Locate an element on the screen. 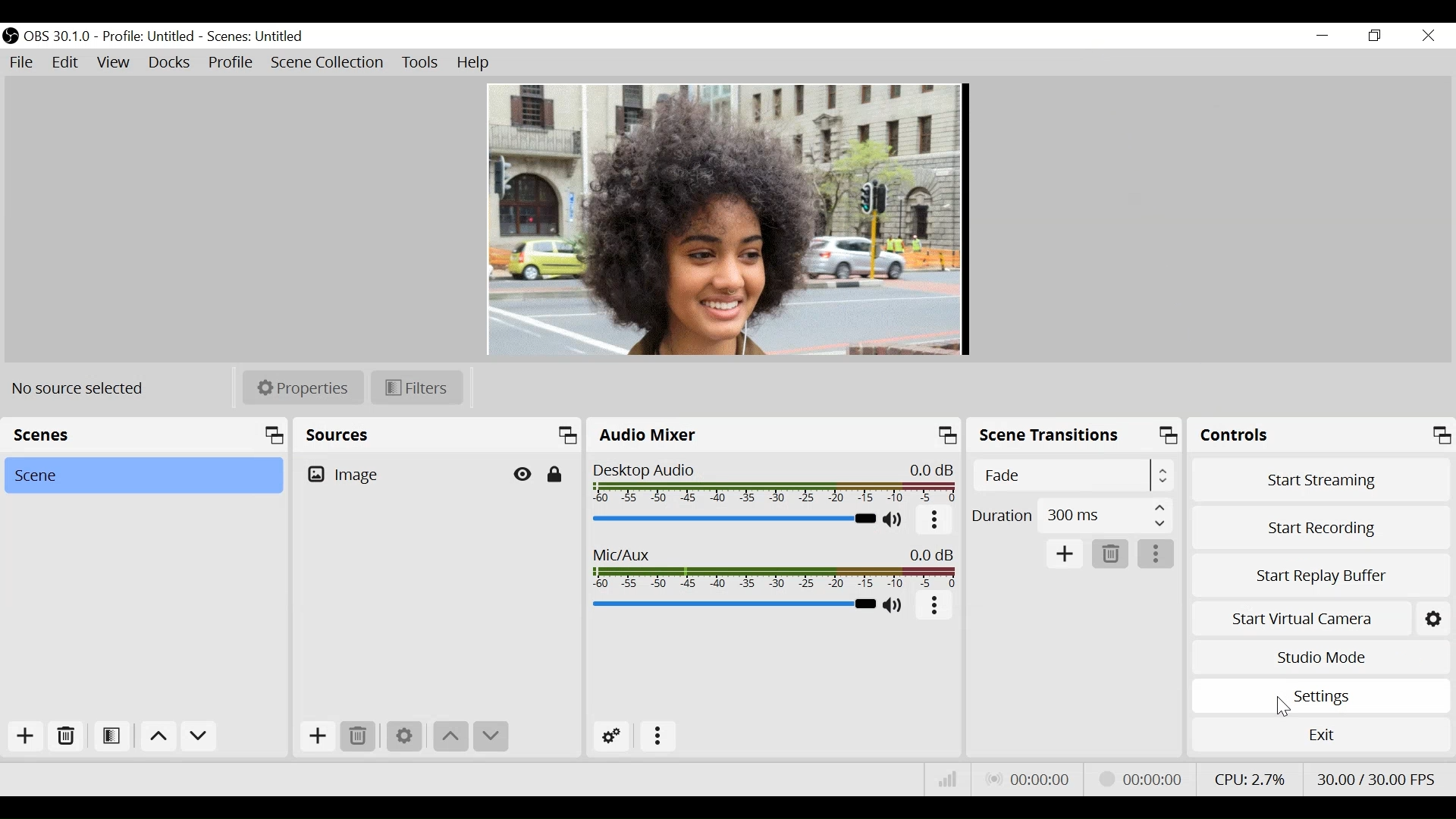  OBS Studio Desktop Icon is located at coordinates (10, 33).